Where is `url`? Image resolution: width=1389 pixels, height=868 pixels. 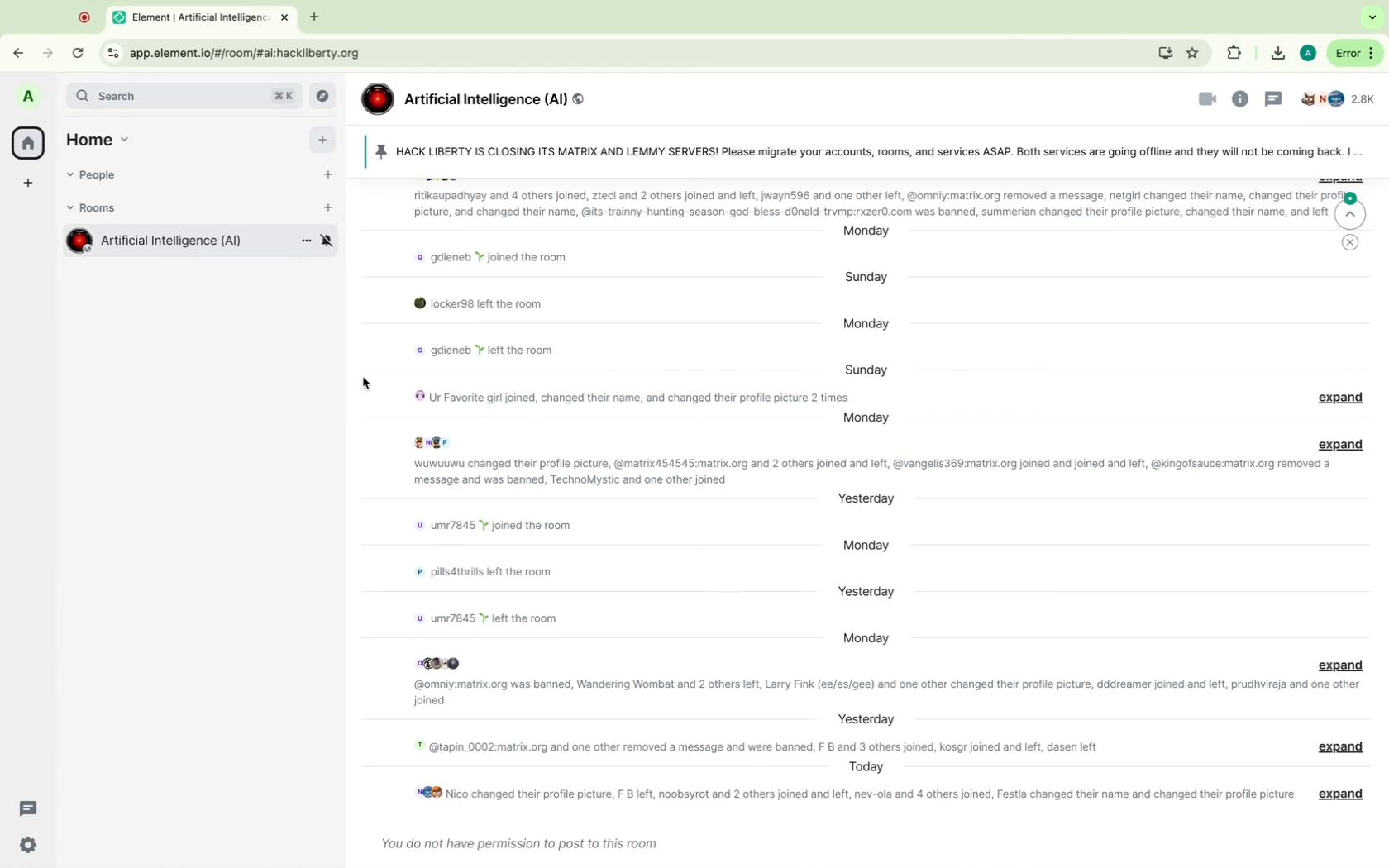
url is located at coordinates (261, 53).